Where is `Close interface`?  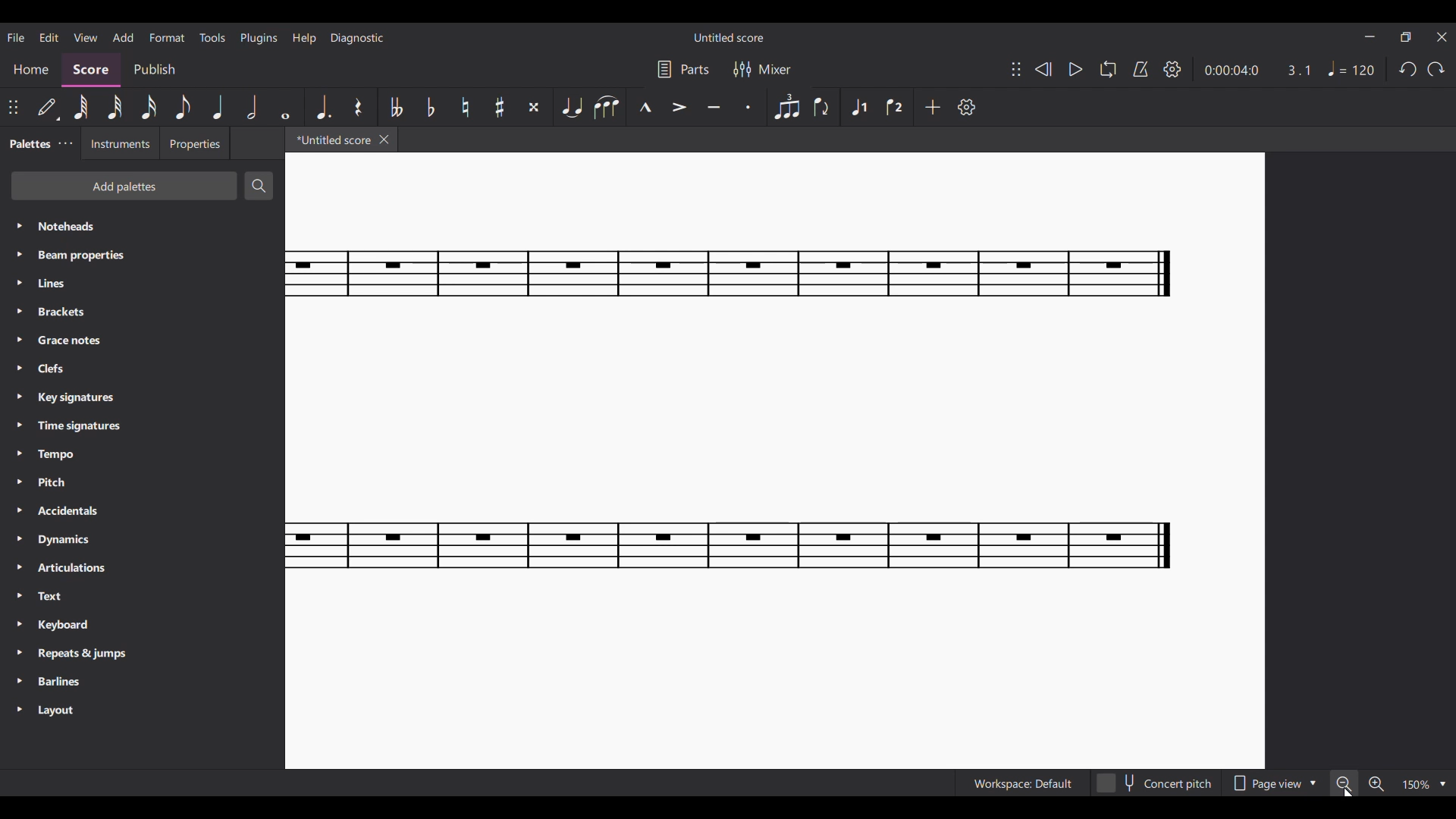
Close interface is located at coordinates (1442, 37).